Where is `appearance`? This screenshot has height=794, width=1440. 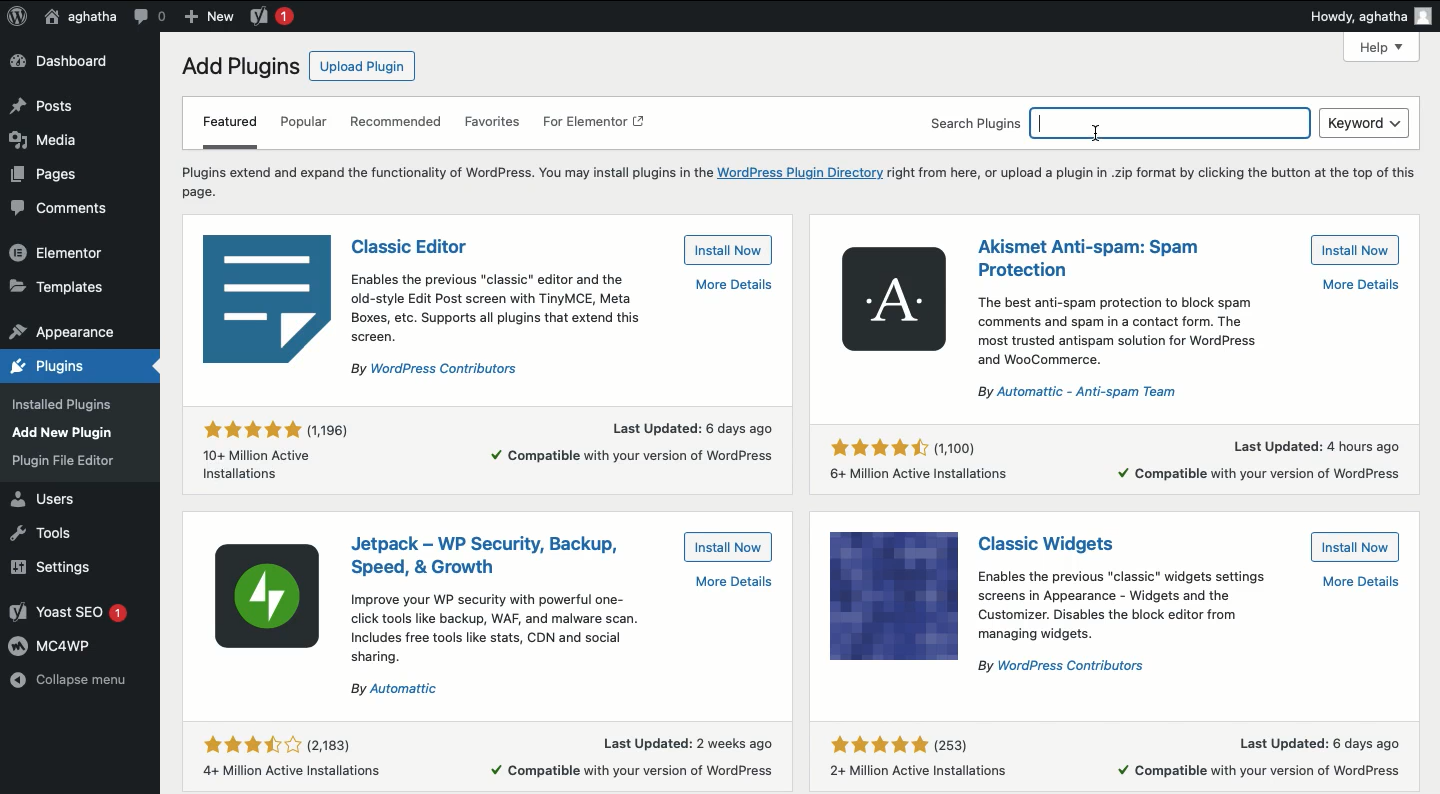
appearance is located at coordinates (63, 329).